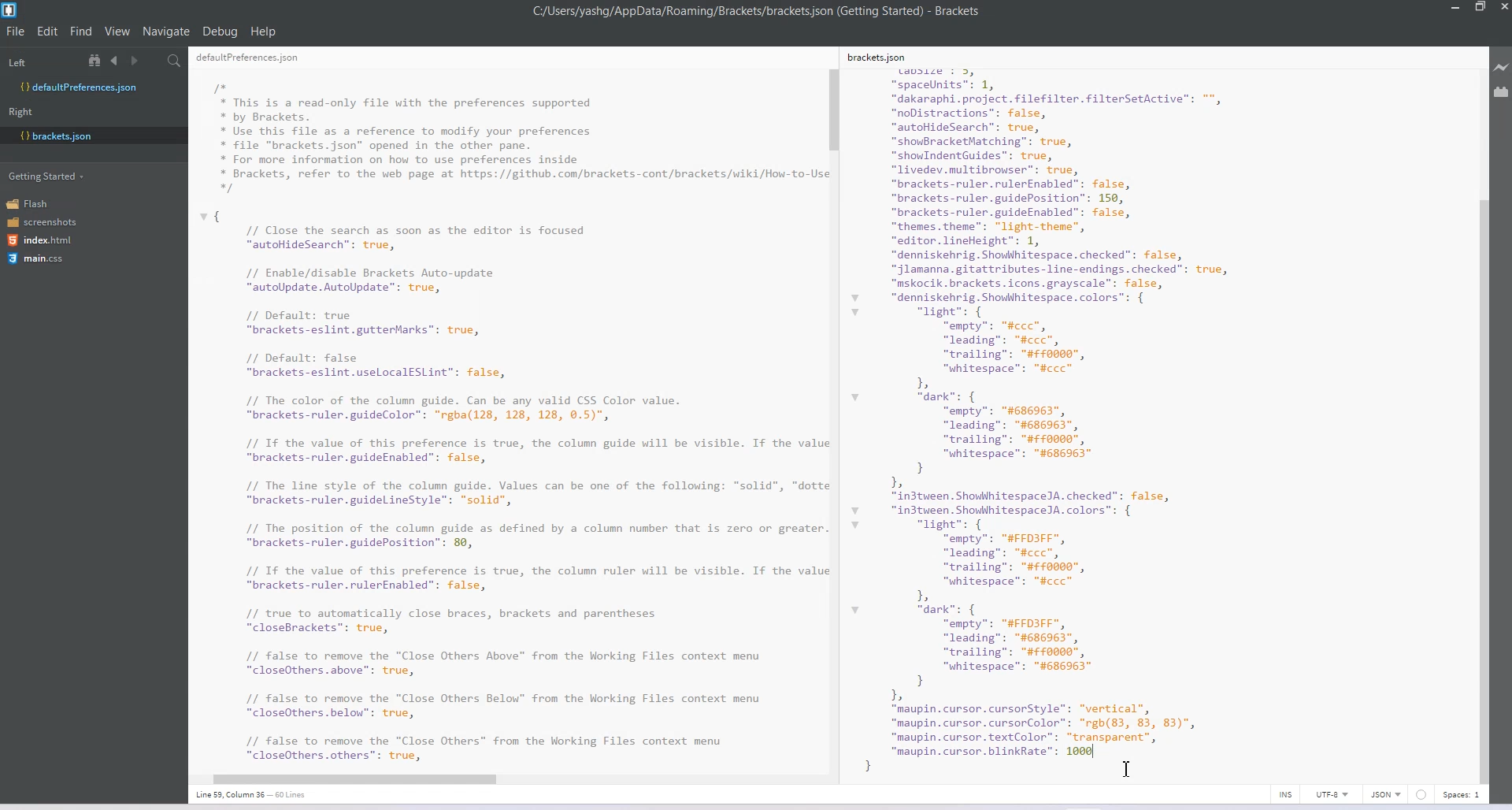 The width and height of the screenshot is (1512, 810). What do you see at coordinates (49, 31) in the screenshot?
I see `Edit` at bounding box center [49, 31].